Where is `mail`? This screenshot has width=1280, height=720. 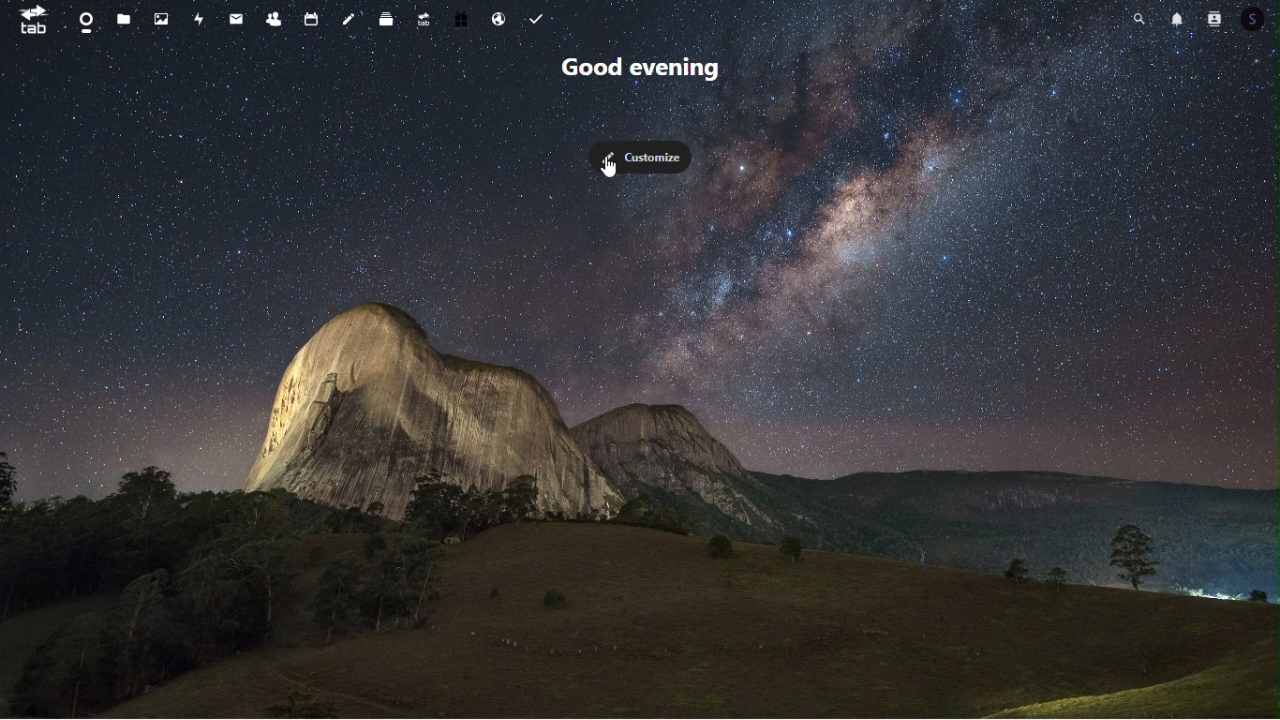
mail is located at coordinates (235, 22).